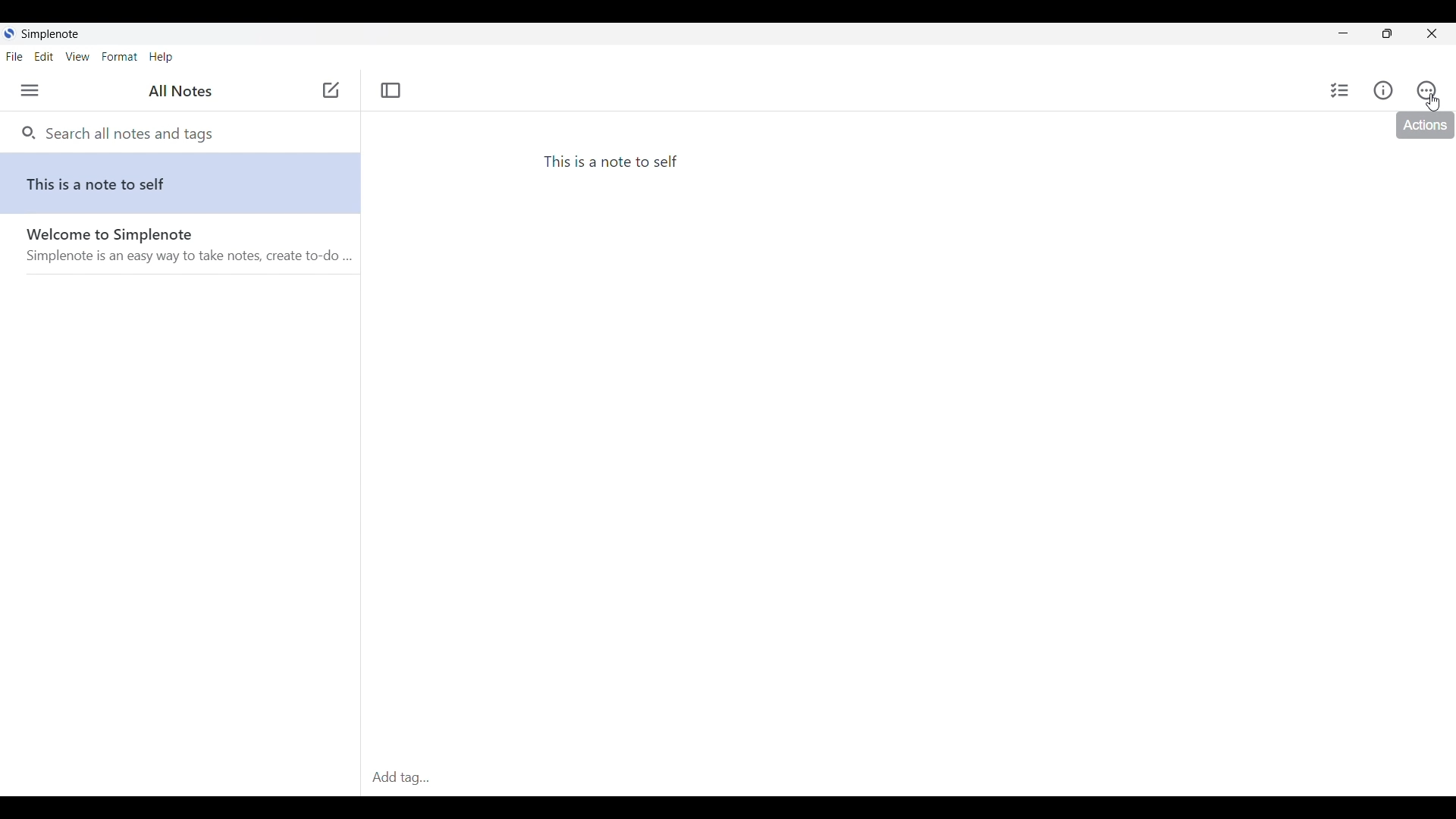 This screenshot has height=819, width=1456. I want to click on Help, so click(161, 58).